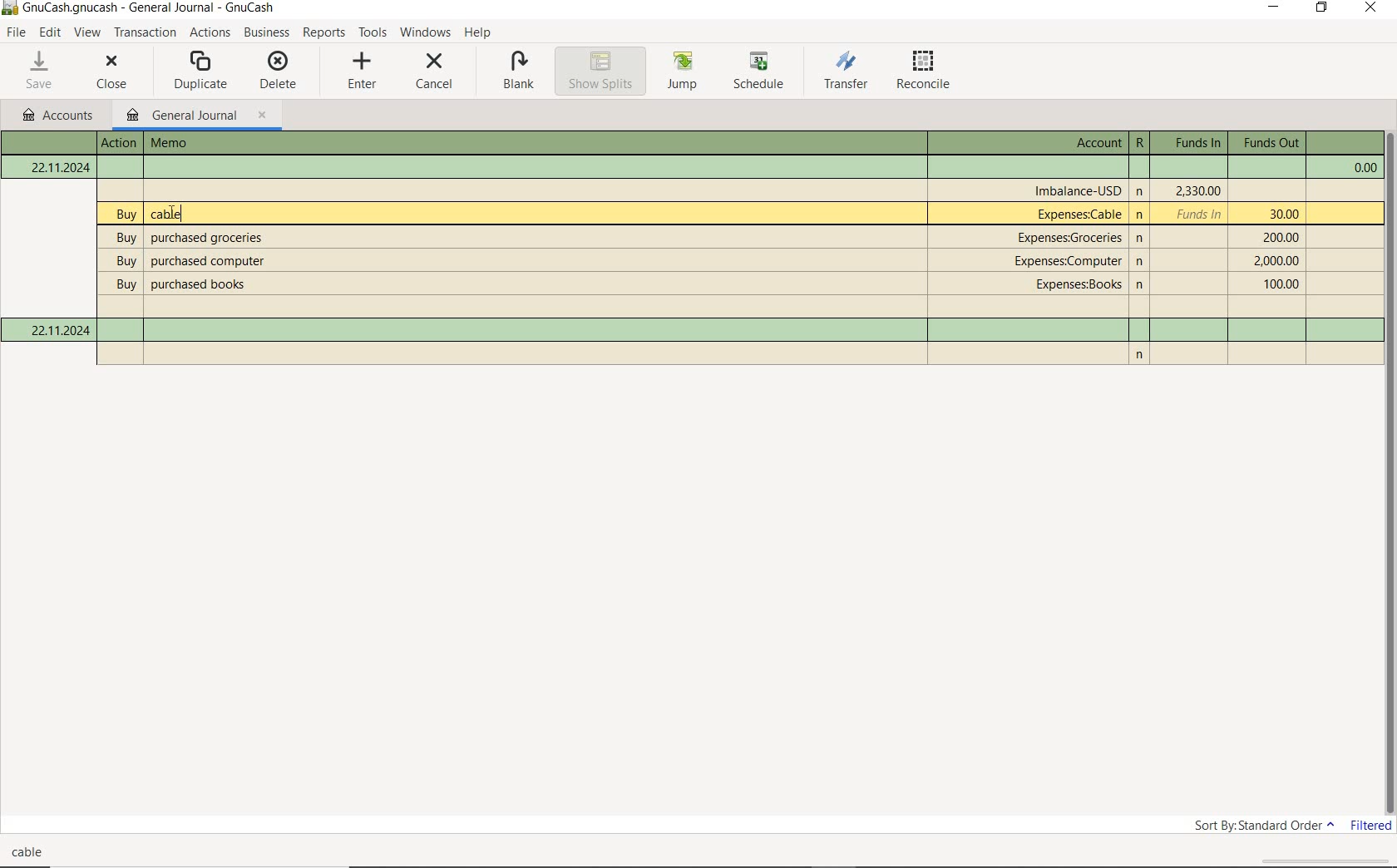  Describe the element at coordinates (479, 33) in the screenshot. I see `HELP` at that location.